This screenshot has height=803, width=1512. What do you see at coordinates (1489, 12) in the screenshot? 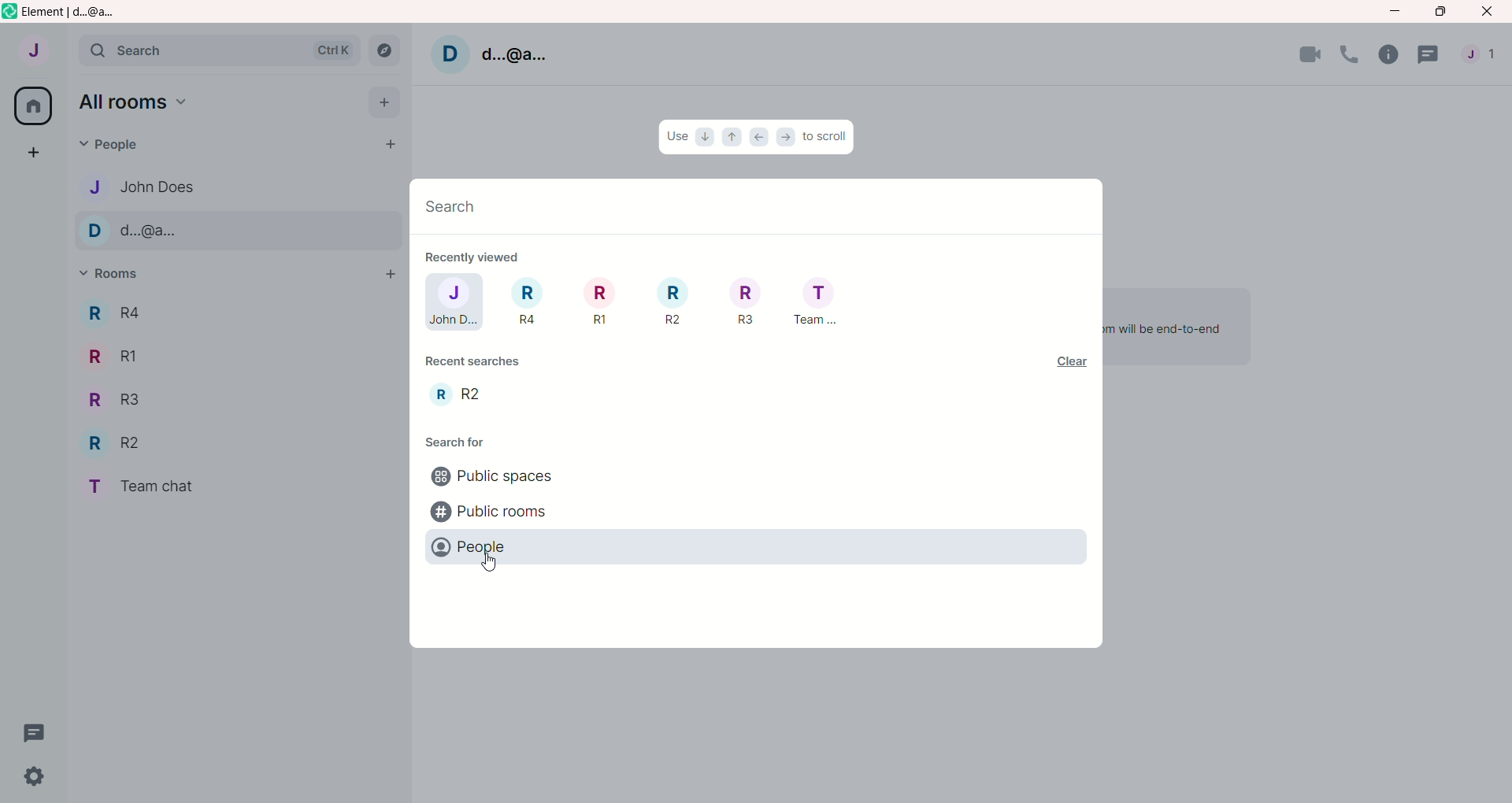
I see `close` at bounding box center [1489, 12].